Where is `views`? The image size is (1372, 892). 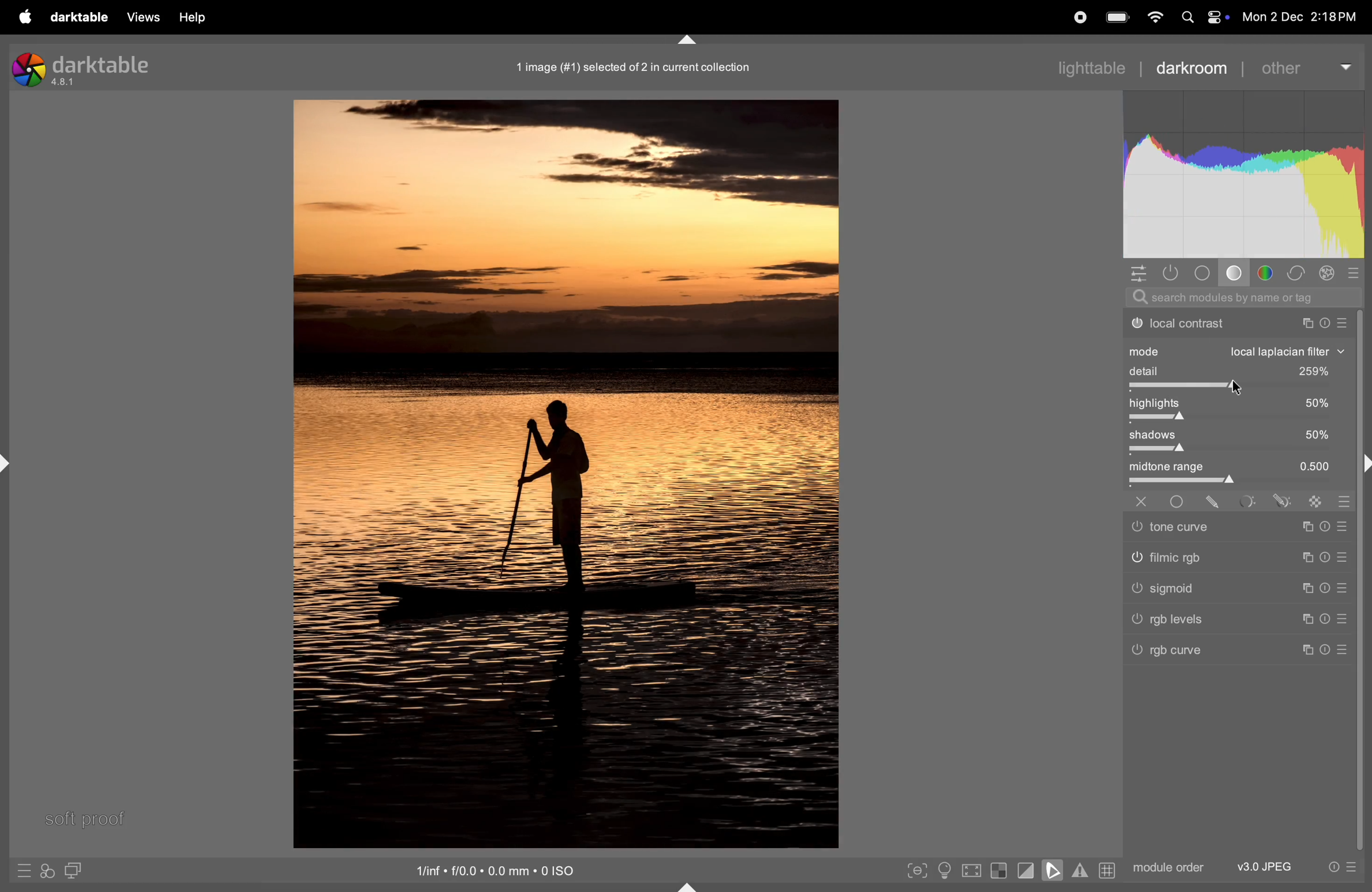 views is located at coordinates (146, 17).